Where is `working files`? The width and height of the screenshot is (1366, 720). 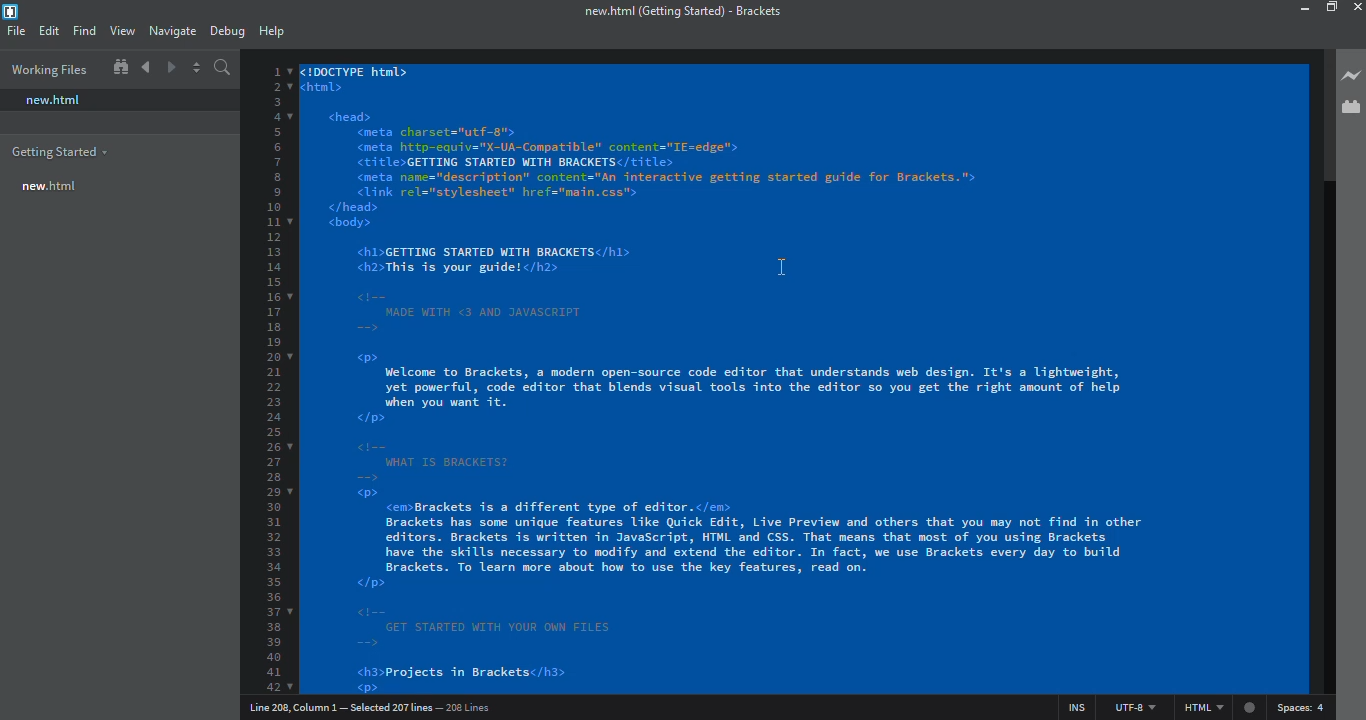 working files is located at coordinates (47, 67).